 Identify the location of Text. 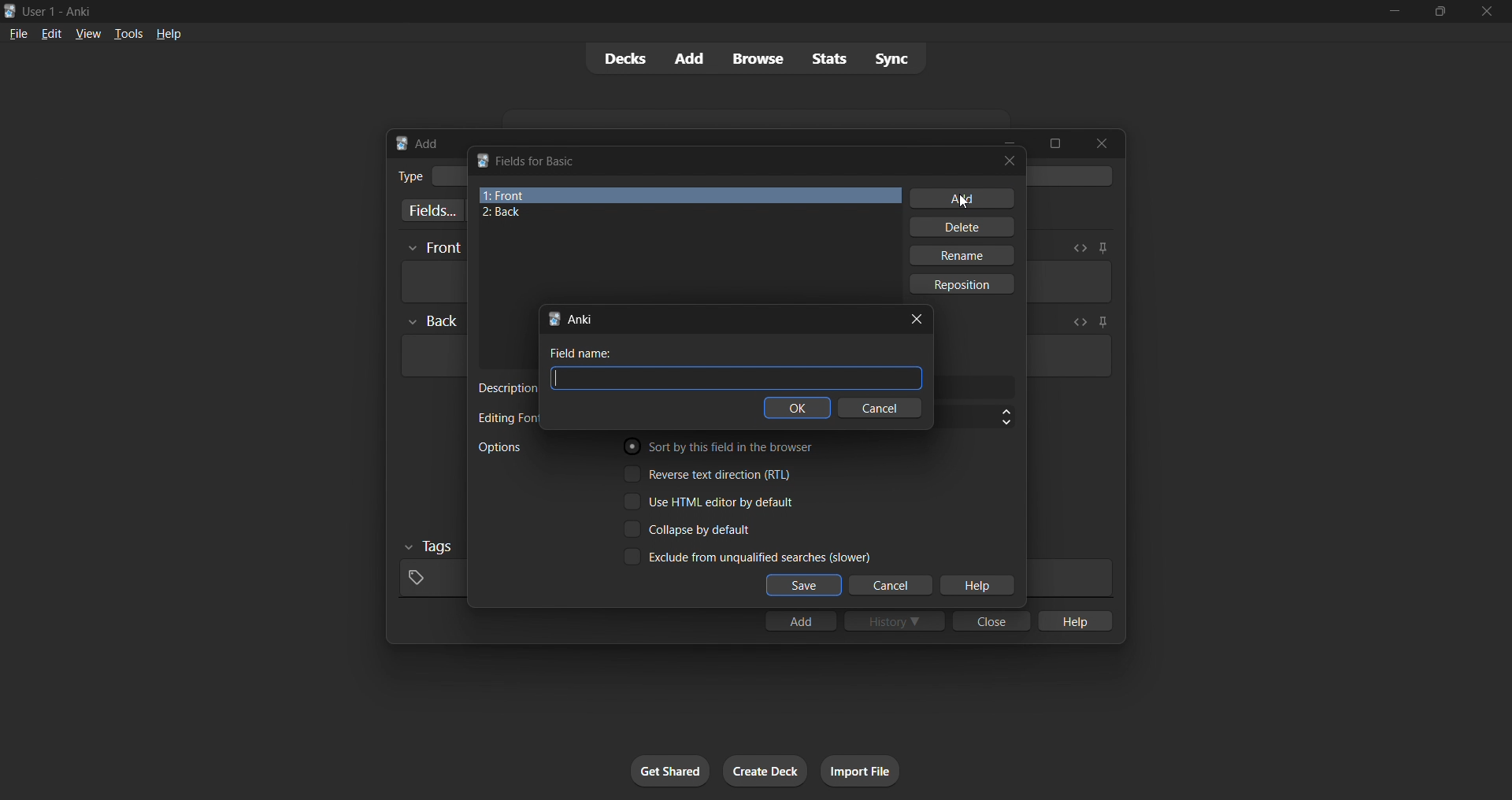
(506, 418).